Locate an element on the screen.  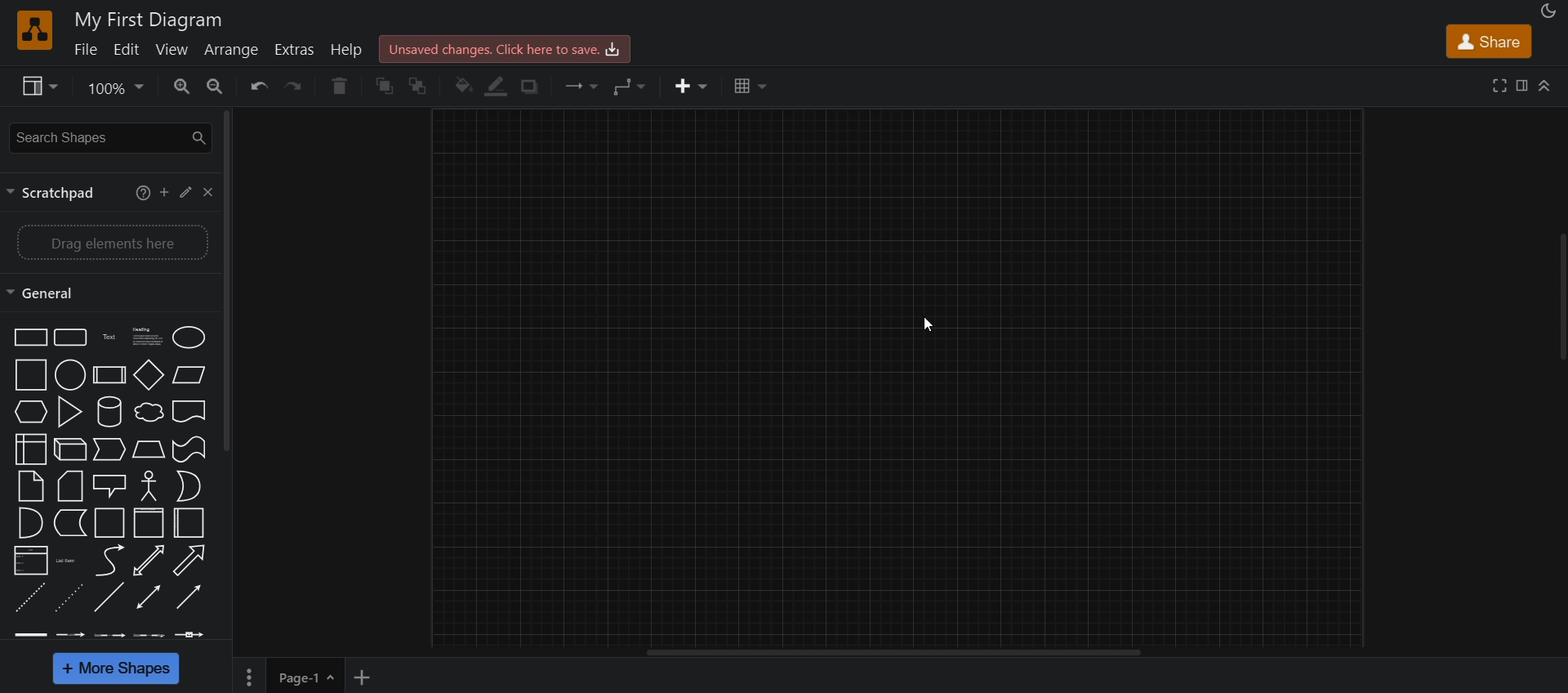
edit is located at coordinates (185, 191).